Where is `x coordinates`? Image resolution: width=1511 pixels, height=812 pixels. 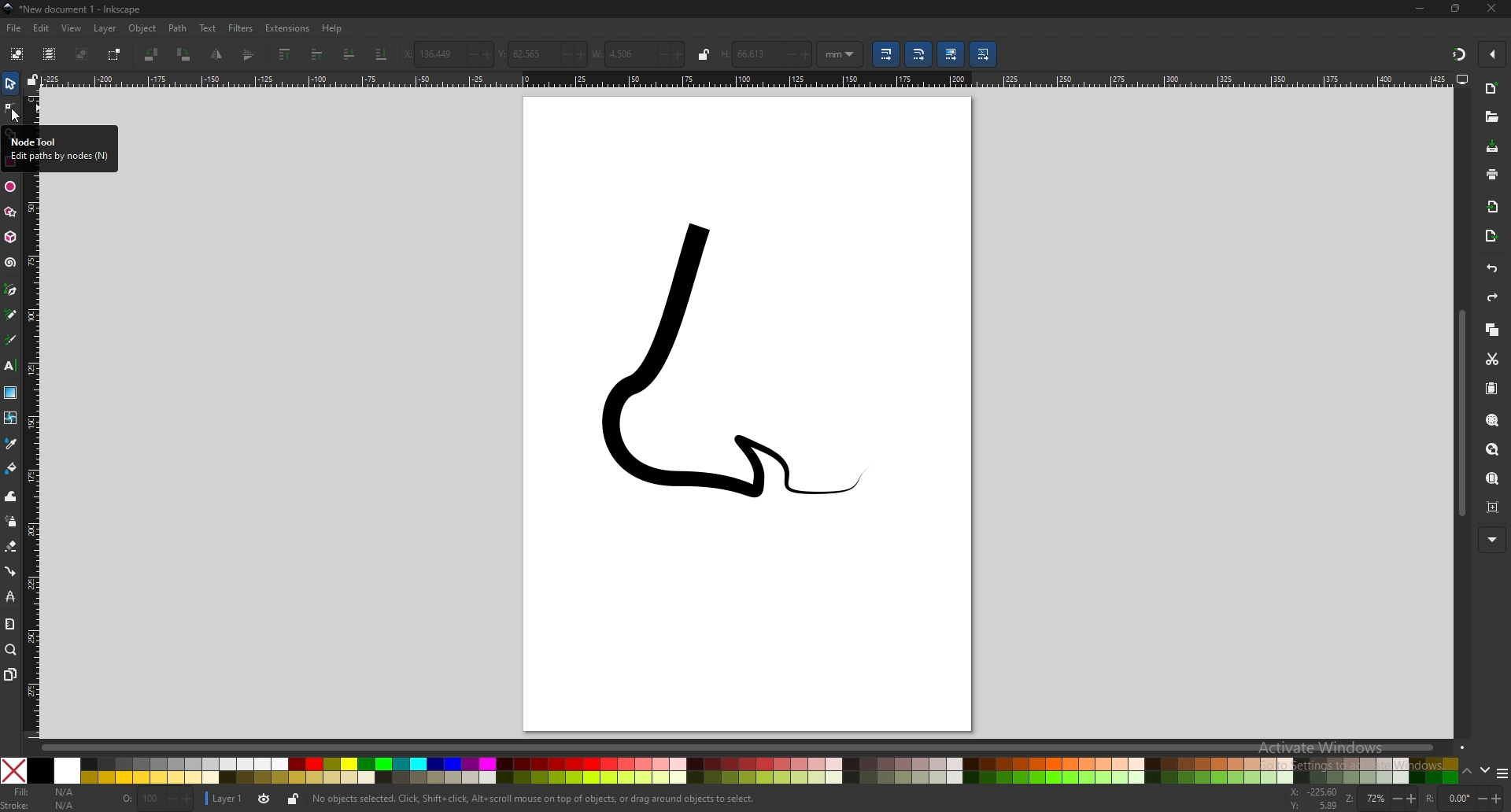 x coordinates is located at coordinates (447, 54).